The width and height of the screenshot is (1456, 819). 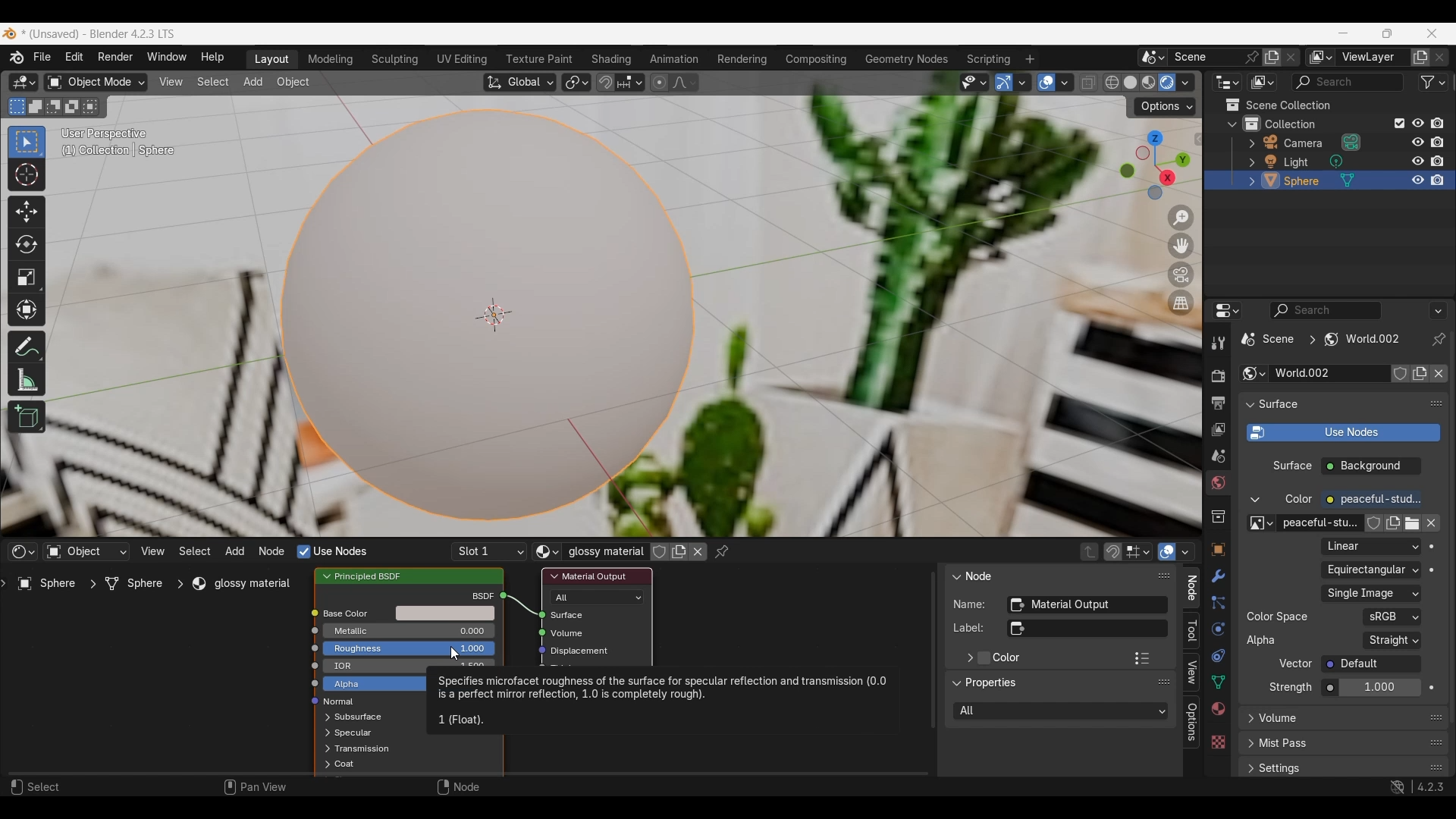 I want to click on Sculpting workspace, so click(x=395, y=60).